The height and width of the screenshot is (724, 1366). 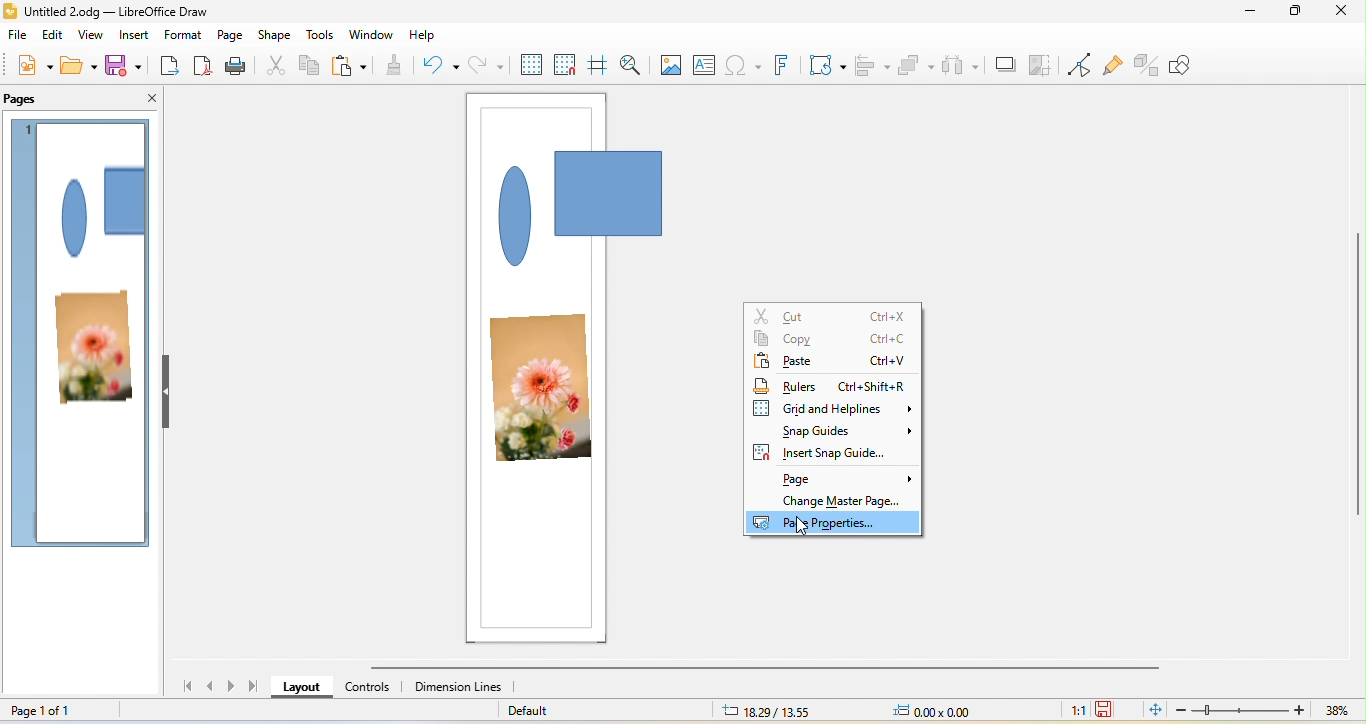 I want to click on tools, so click(x=320, y=33).